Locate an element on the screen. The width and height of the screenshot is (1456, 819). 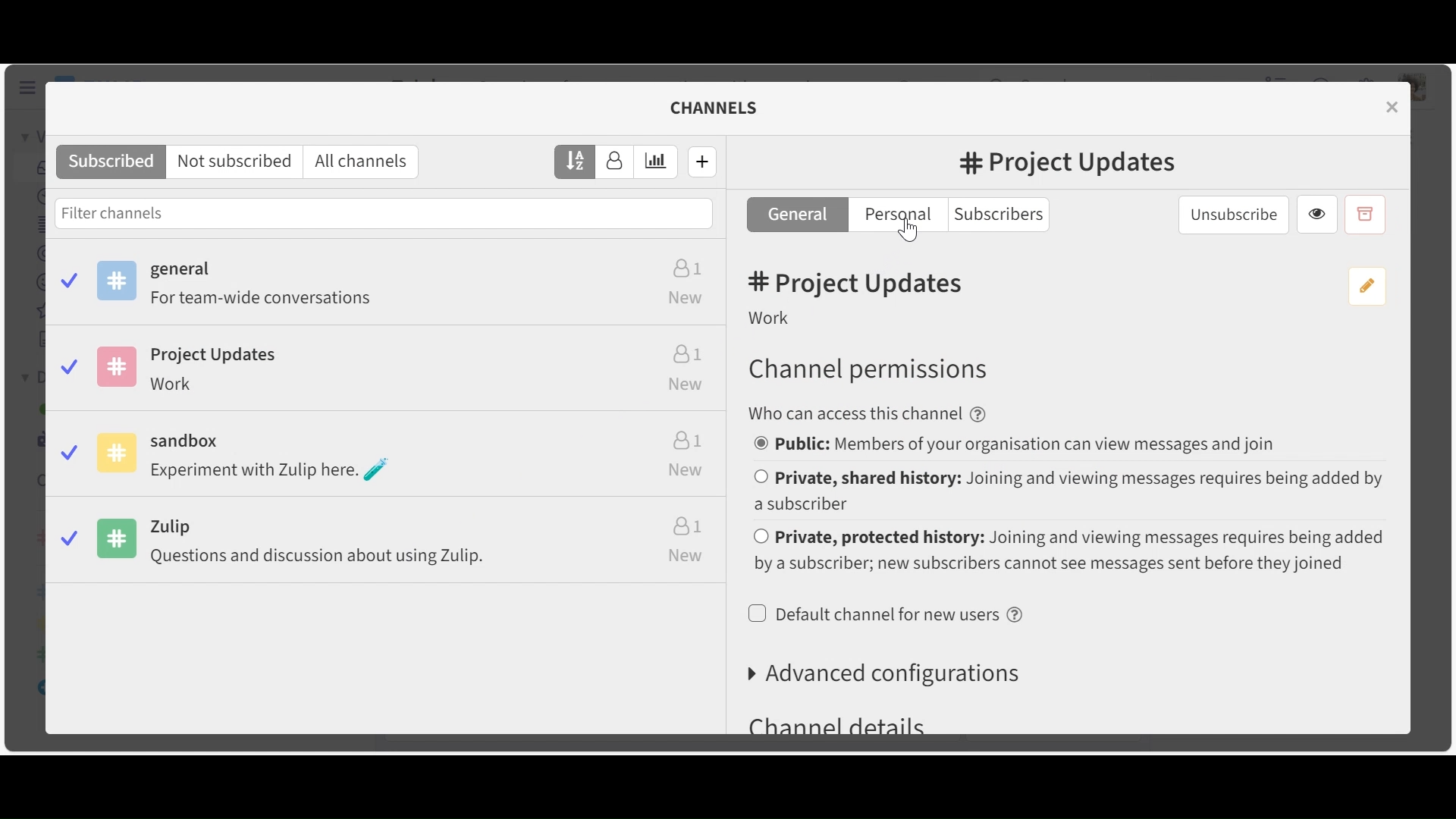
close is located at coordinates (1395, 106).